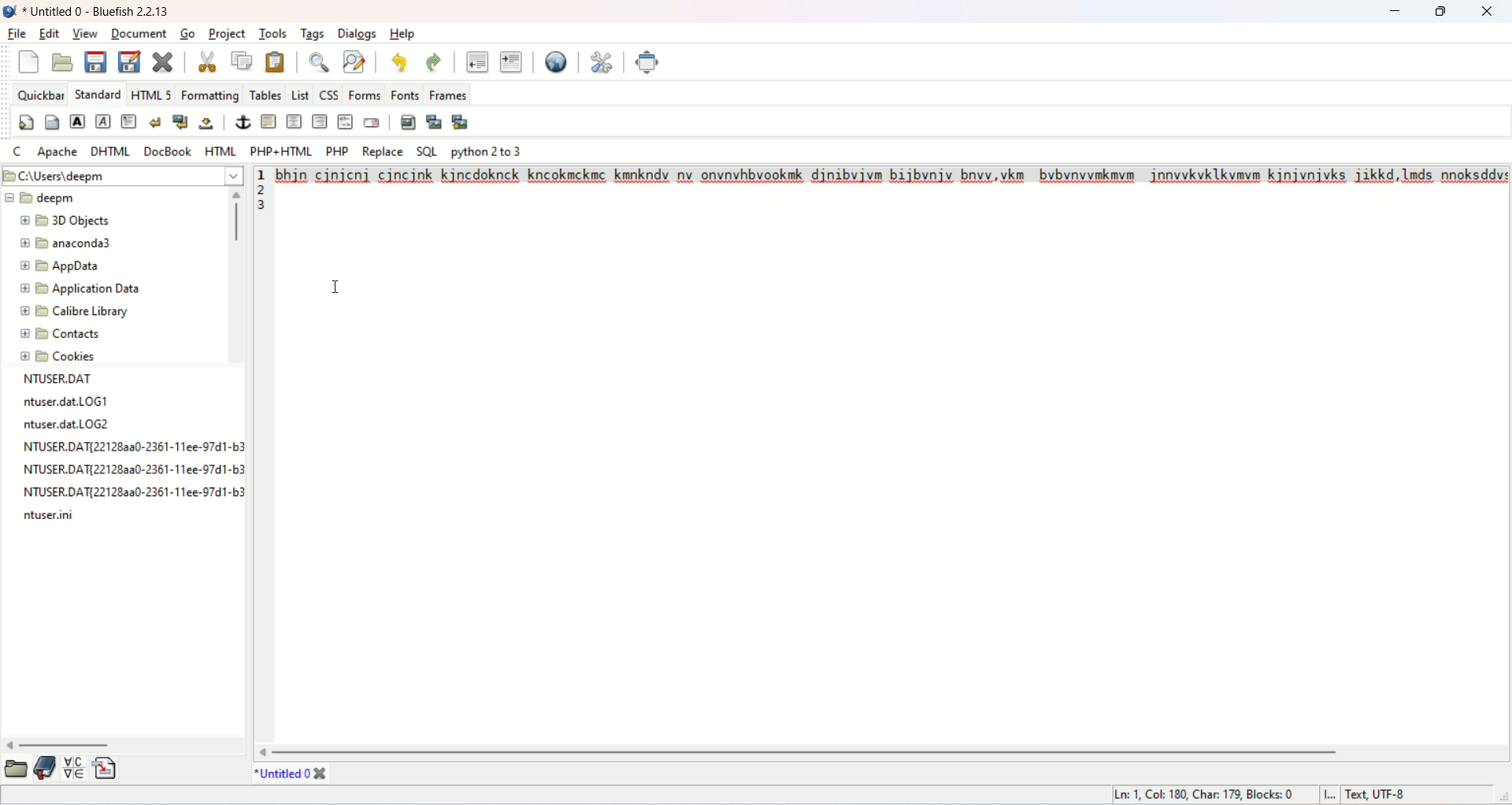 This screenshot has height=805, width=1512. I want to click on appdata, so click(57, 266).